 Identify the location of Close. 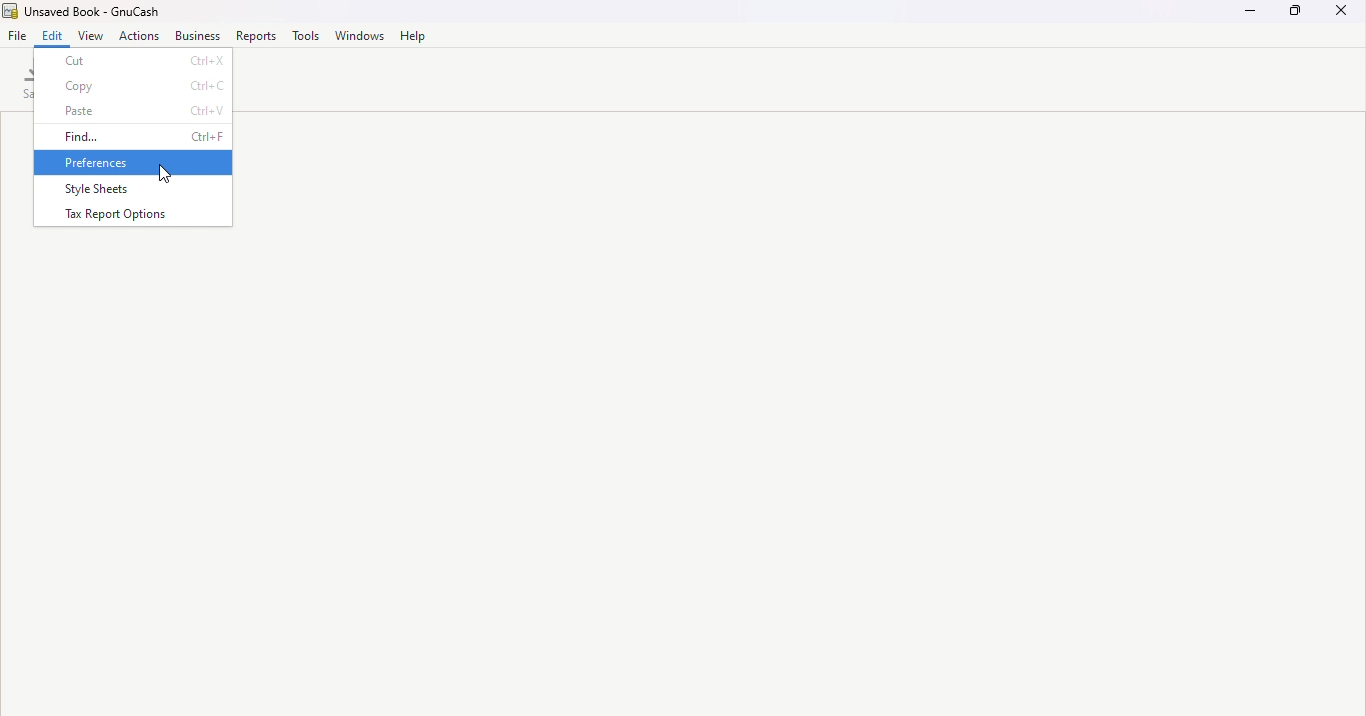
(1344, 14).